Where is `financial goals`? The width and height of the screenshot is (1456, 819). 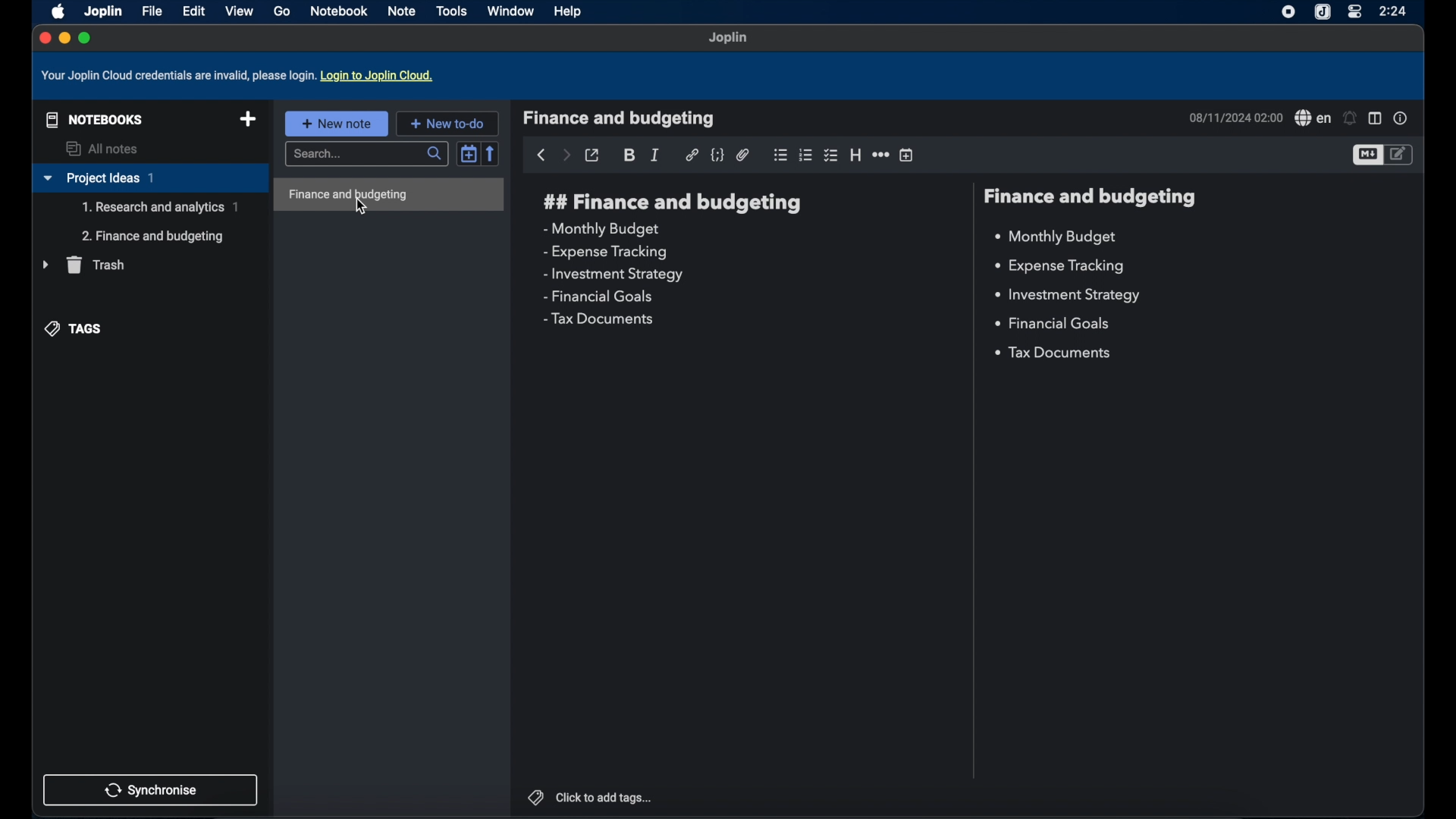
financial goals is located at coordinates (598, 297).